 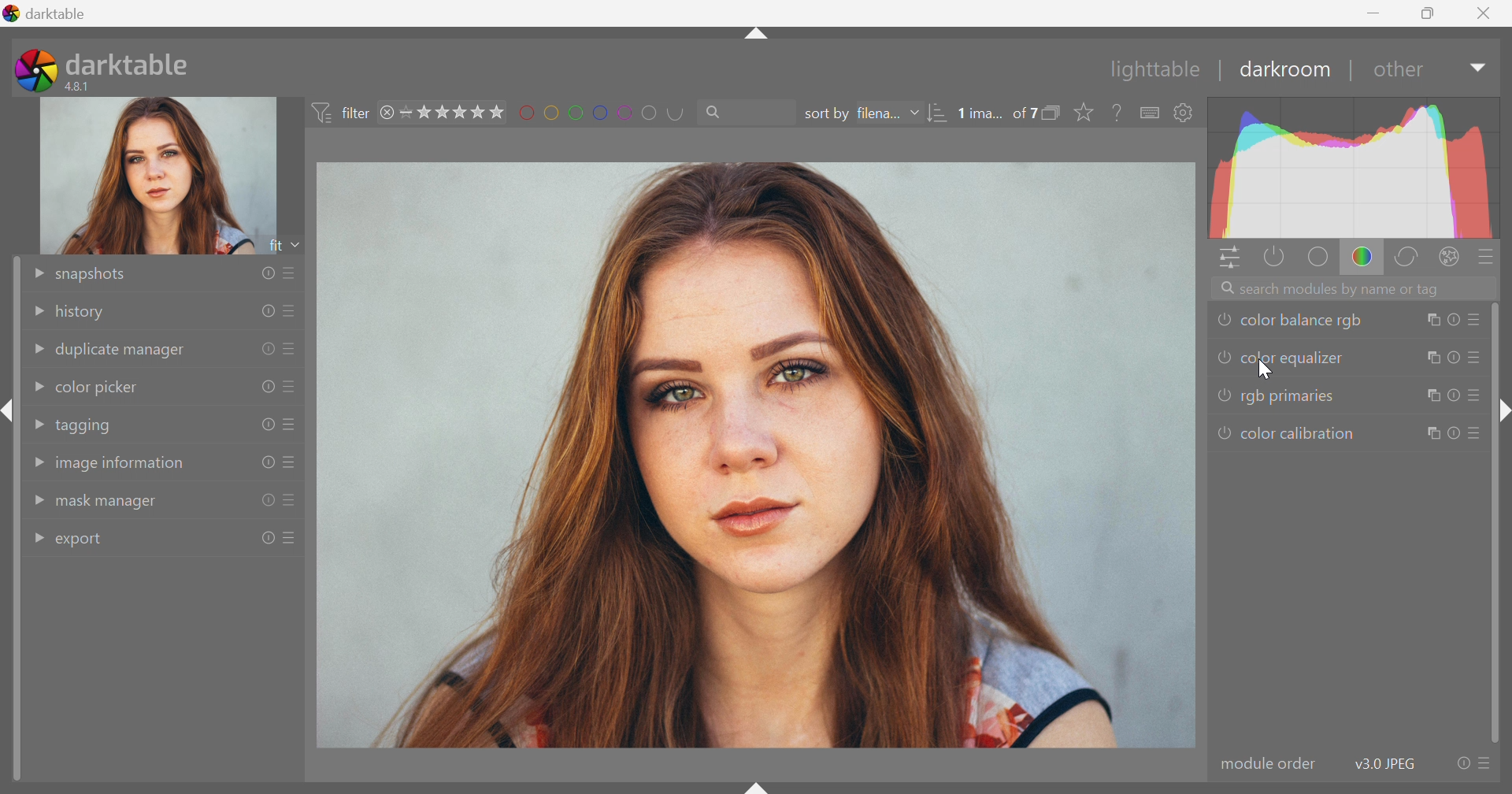 I want to click on 'rgb primaries' is switched off, so click(x=1221, y=395).